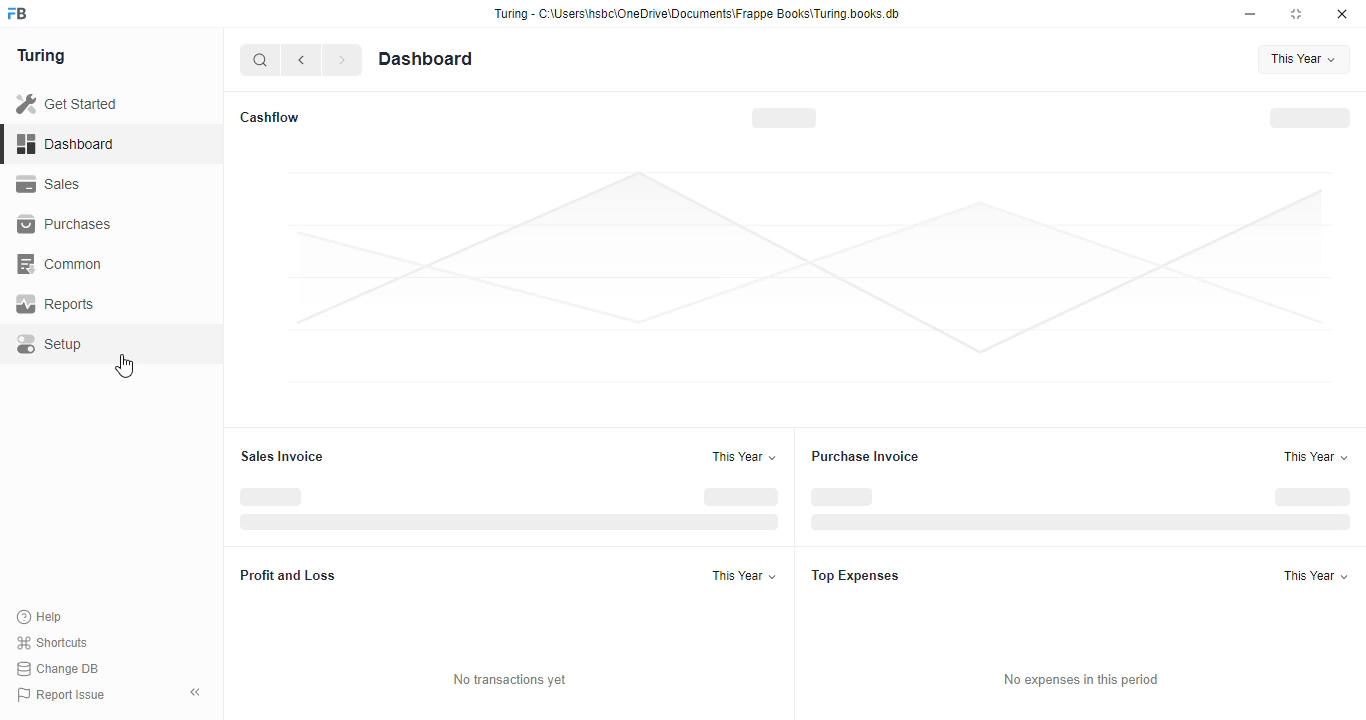 Image resolution: width=1366 pixels, height=720 pixels. I want to click on cursor, so click(123, 366).